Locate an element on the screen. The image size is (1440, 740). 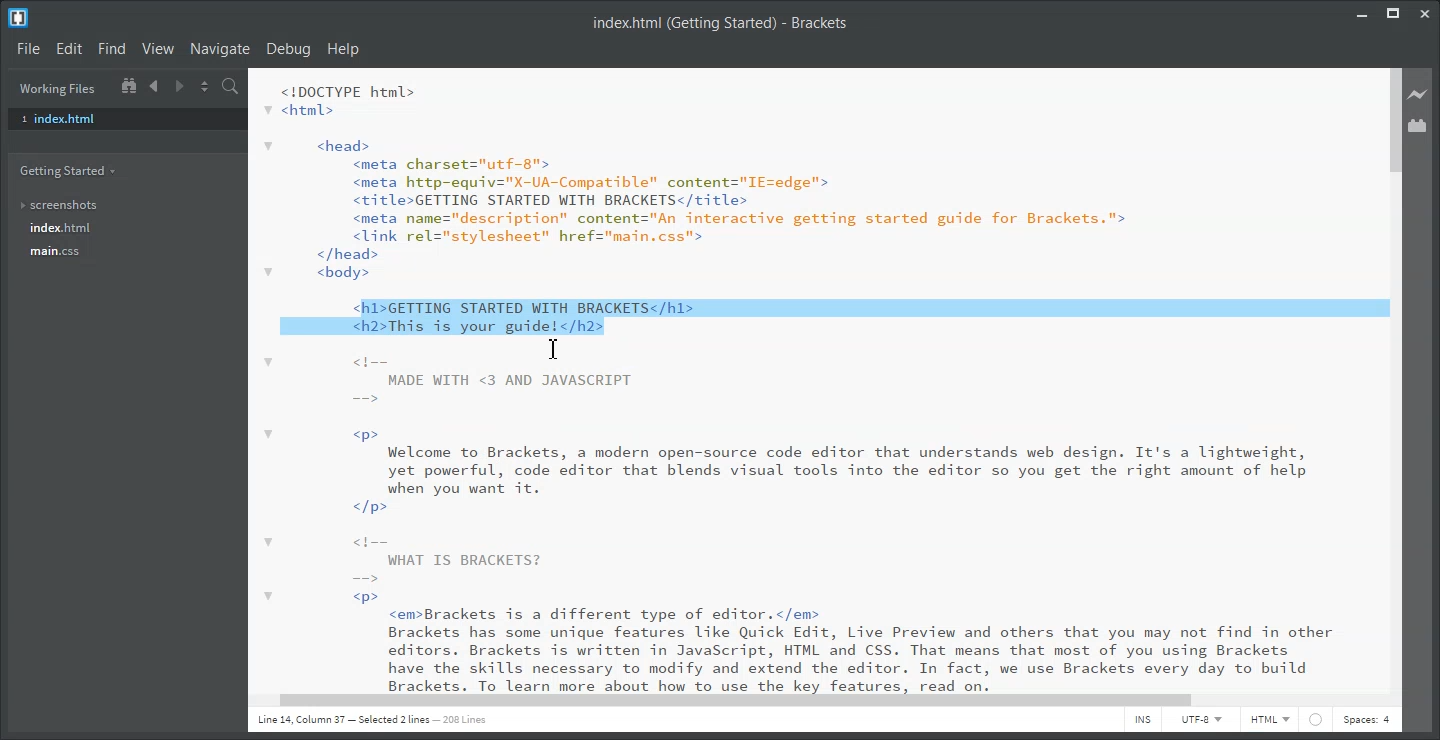
Getting Started is located at coordinates (69, 173).